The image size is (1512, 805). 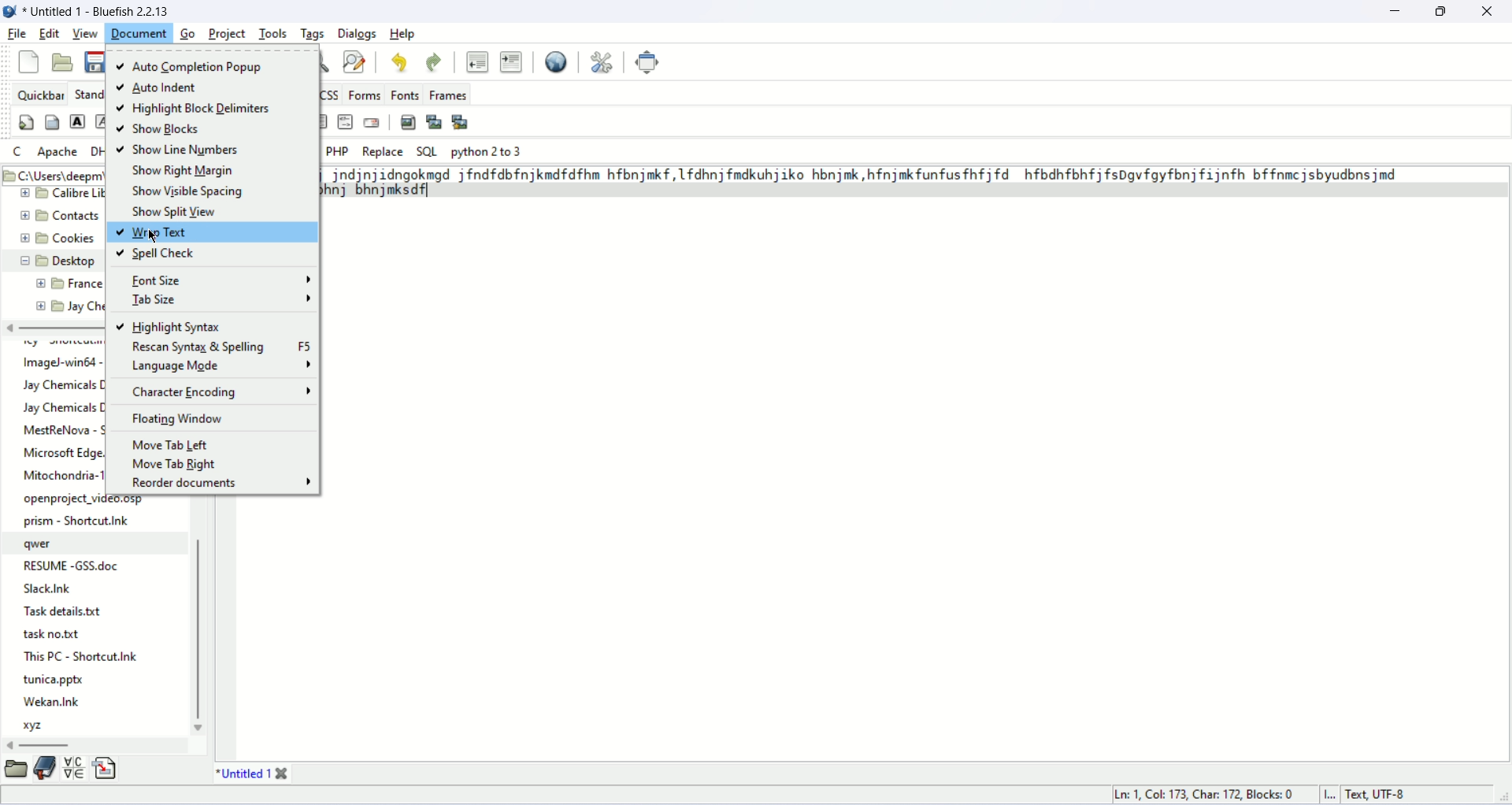 What do you see at coordinates (1487, 11) in the screenshot?
I see `close` at bounding box center [1487, 11].